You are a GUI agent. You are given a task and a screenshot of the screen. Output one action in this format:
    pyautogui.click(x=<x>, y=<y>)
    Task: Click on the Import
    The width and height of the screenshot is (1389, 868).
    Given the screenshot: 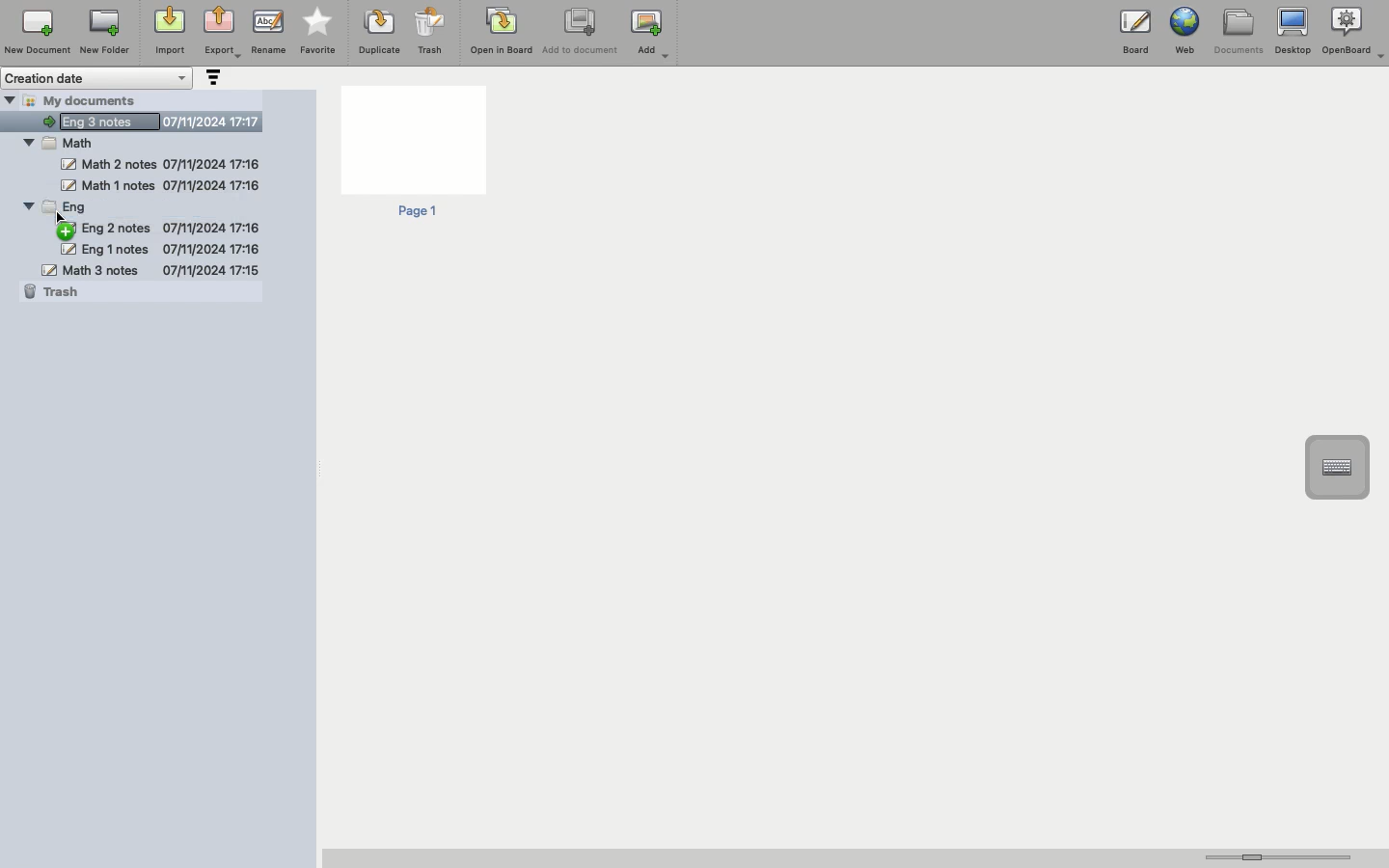 What is the action you would take?
    pyautogui.click(x=168, y=32)
    